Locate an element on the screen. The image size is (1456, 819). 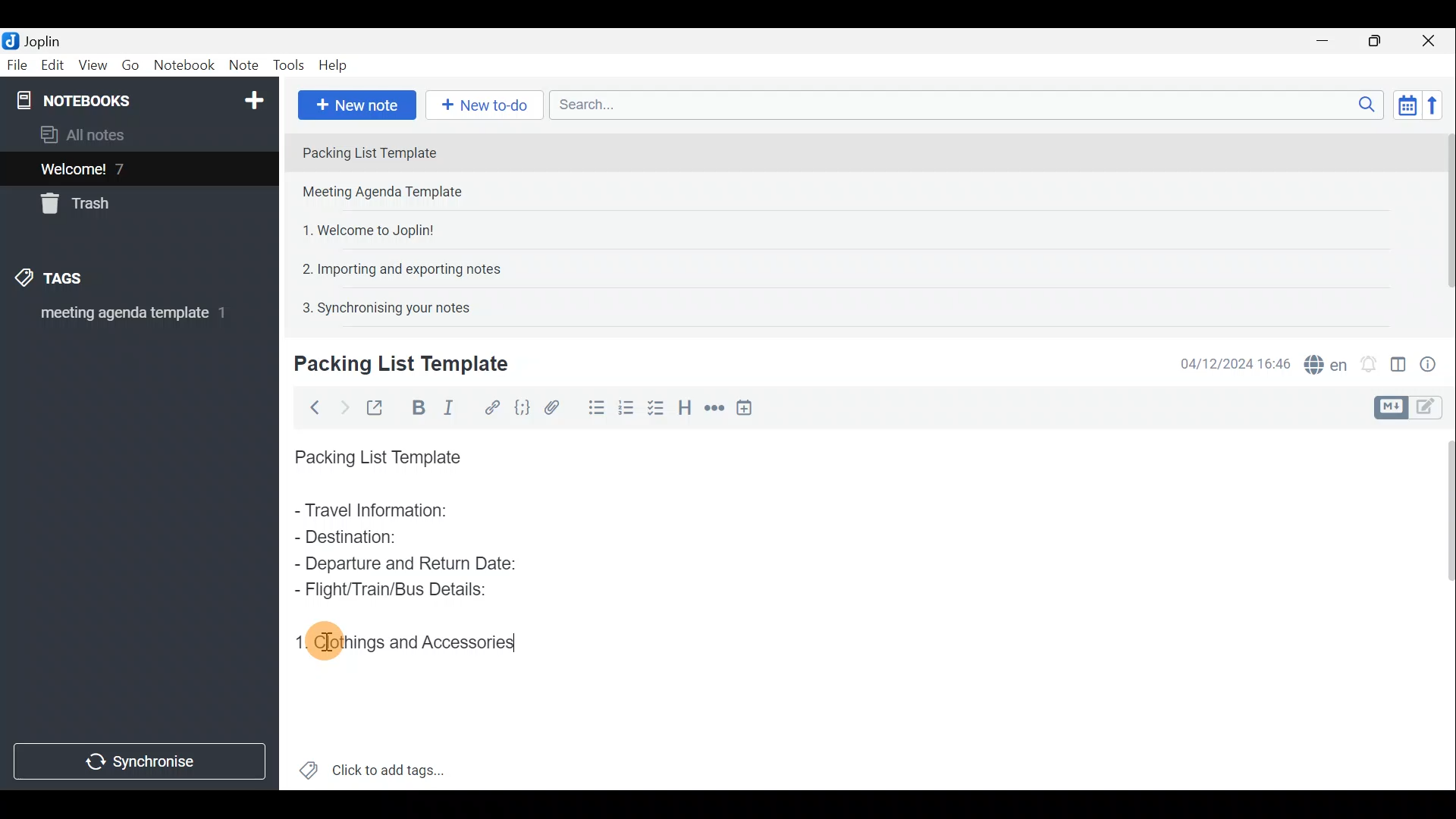
Bold is located at coordinates (416, 406).